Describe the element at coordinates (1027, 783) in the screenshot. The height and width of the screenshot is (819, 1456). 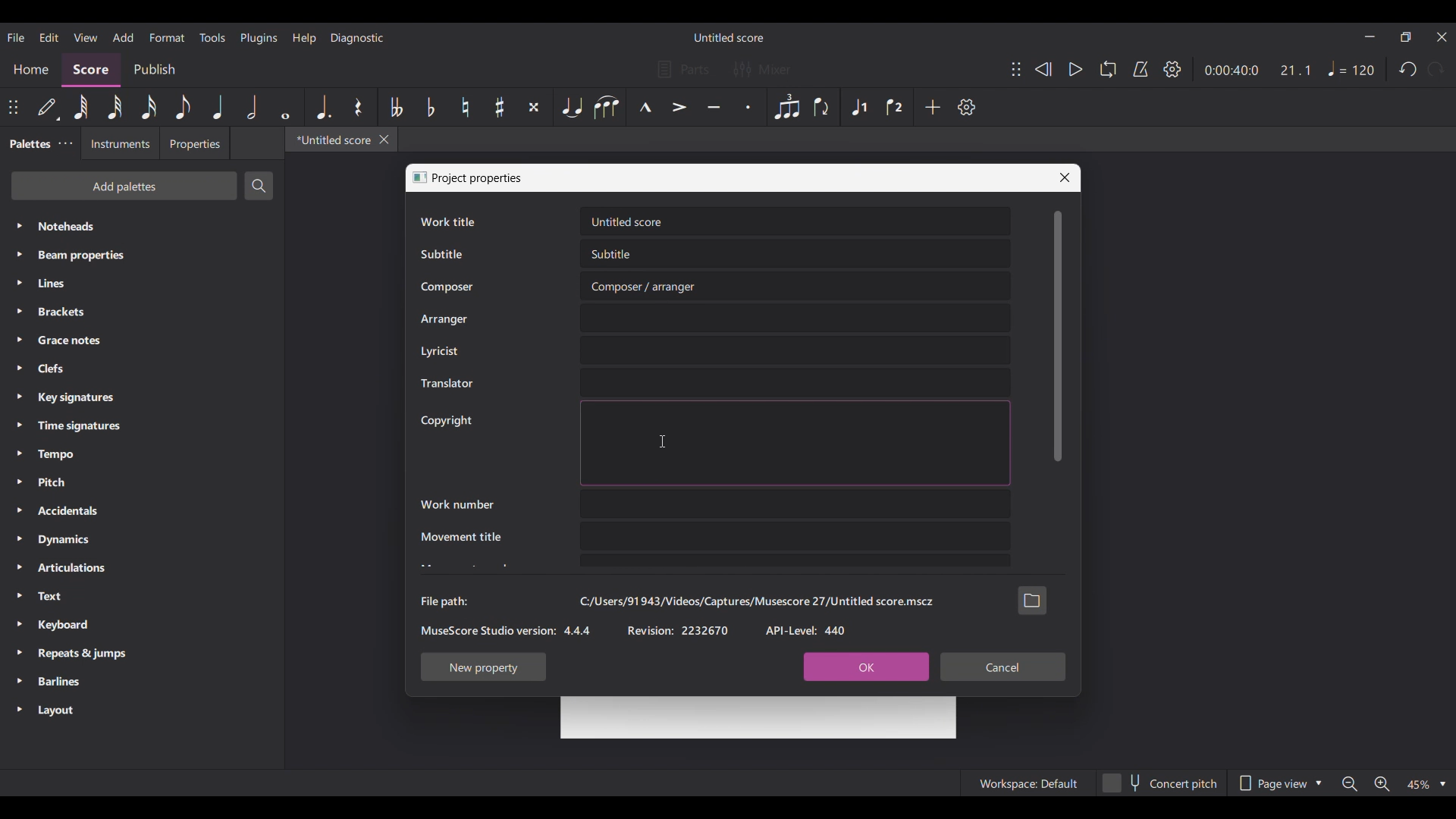
I see `Workspace: Default` at that location.